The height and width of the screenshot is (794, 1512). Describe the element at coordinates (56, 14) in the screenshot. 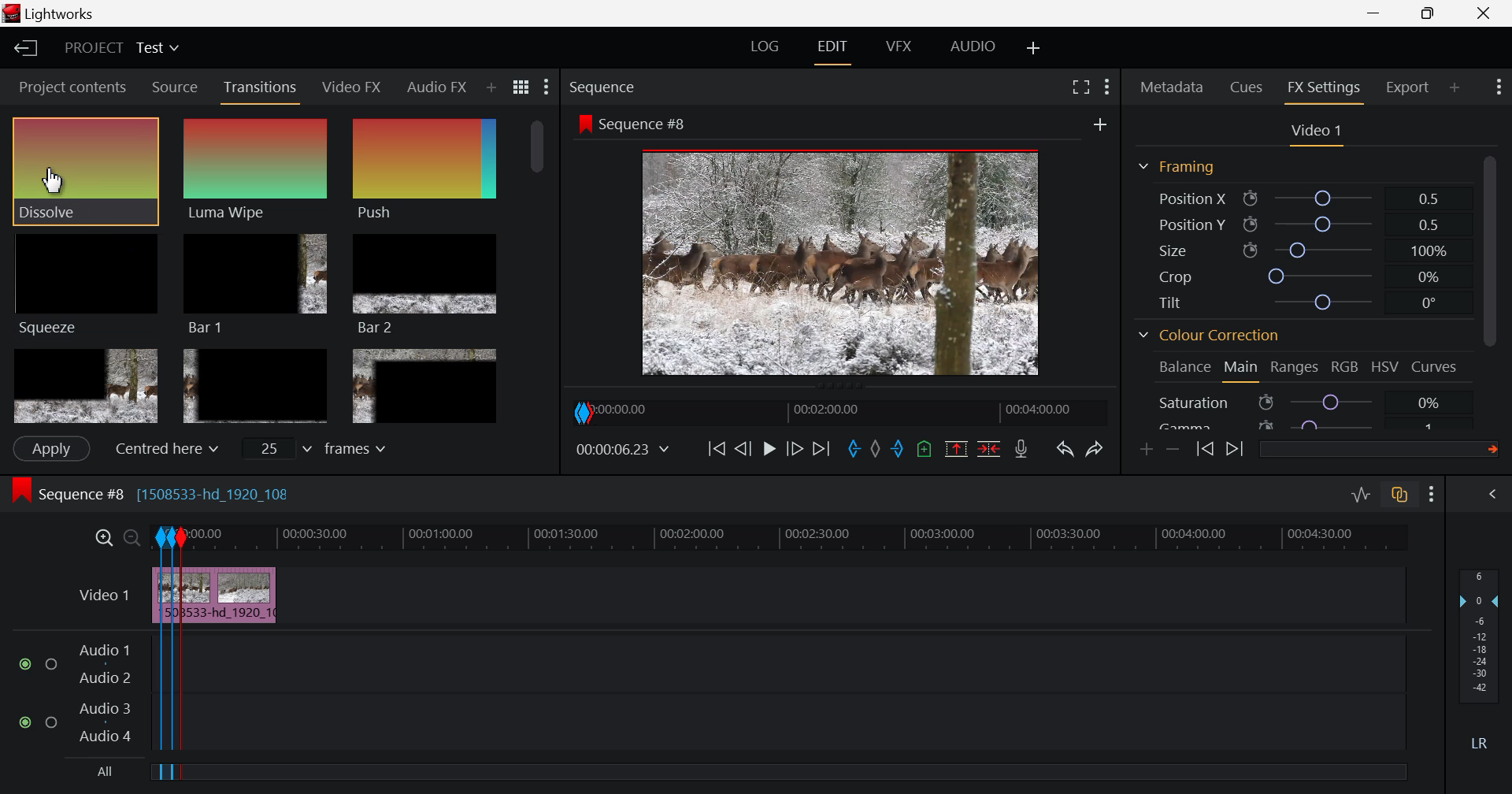

I see `Lightworks` at that location.